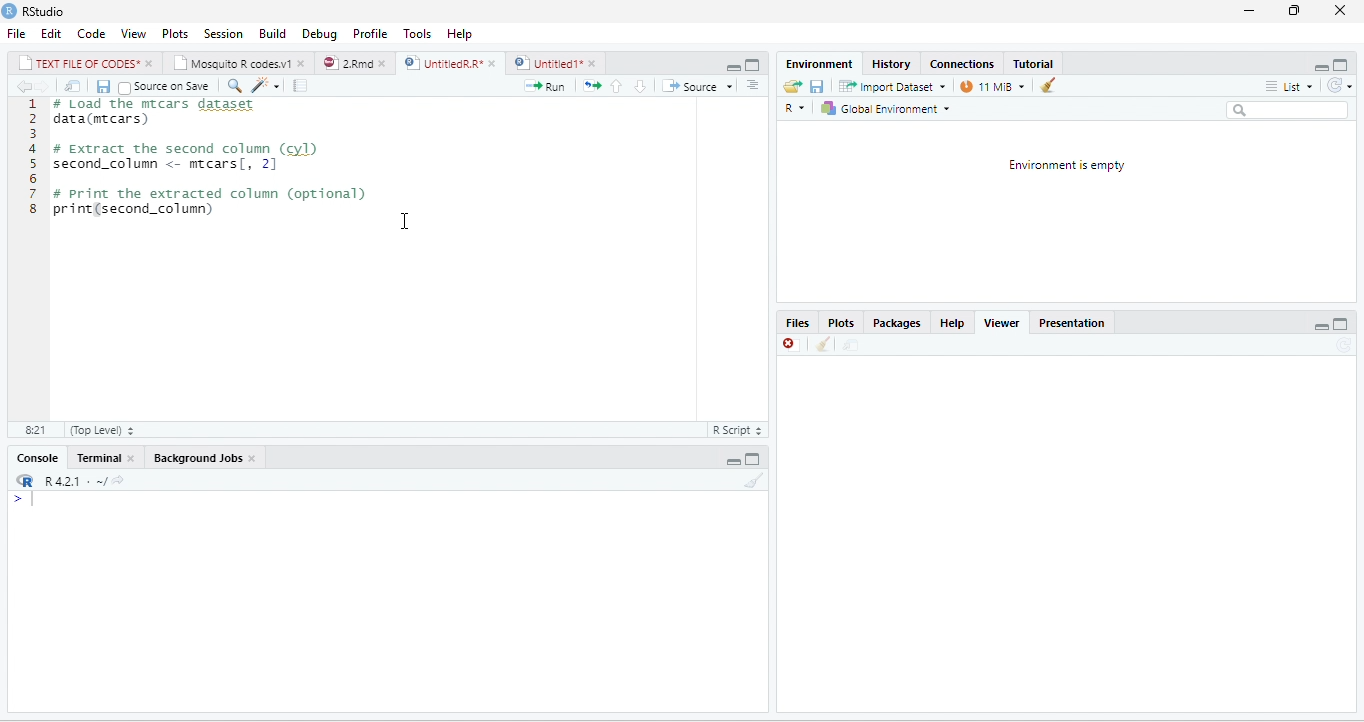  I want to click on refresh, so click(1343, 86).